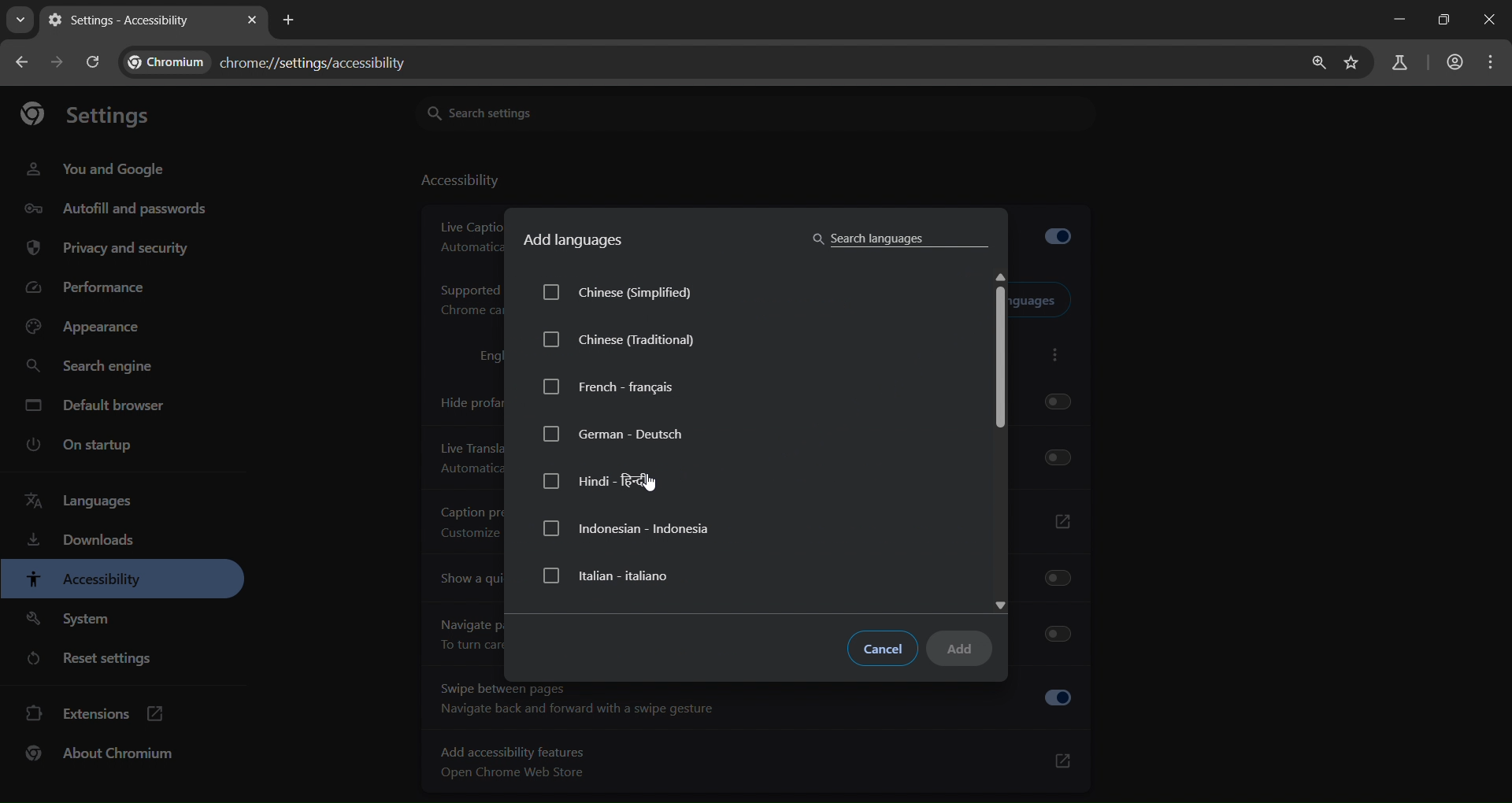  I want to click on minimize, so click(1398, 21).